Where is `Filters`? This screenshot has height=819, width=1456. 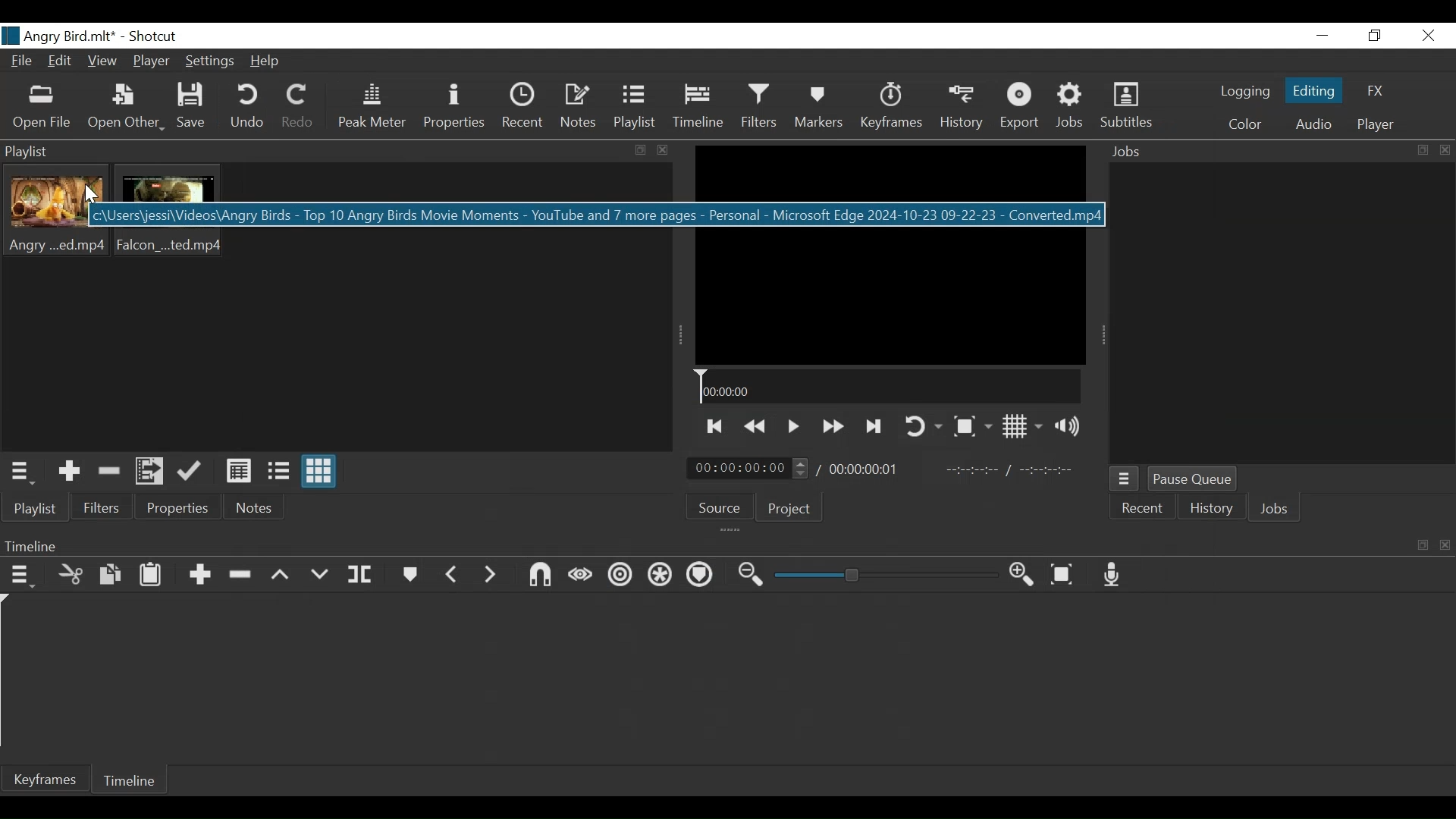
Filters is located at coordinates (101, 510).